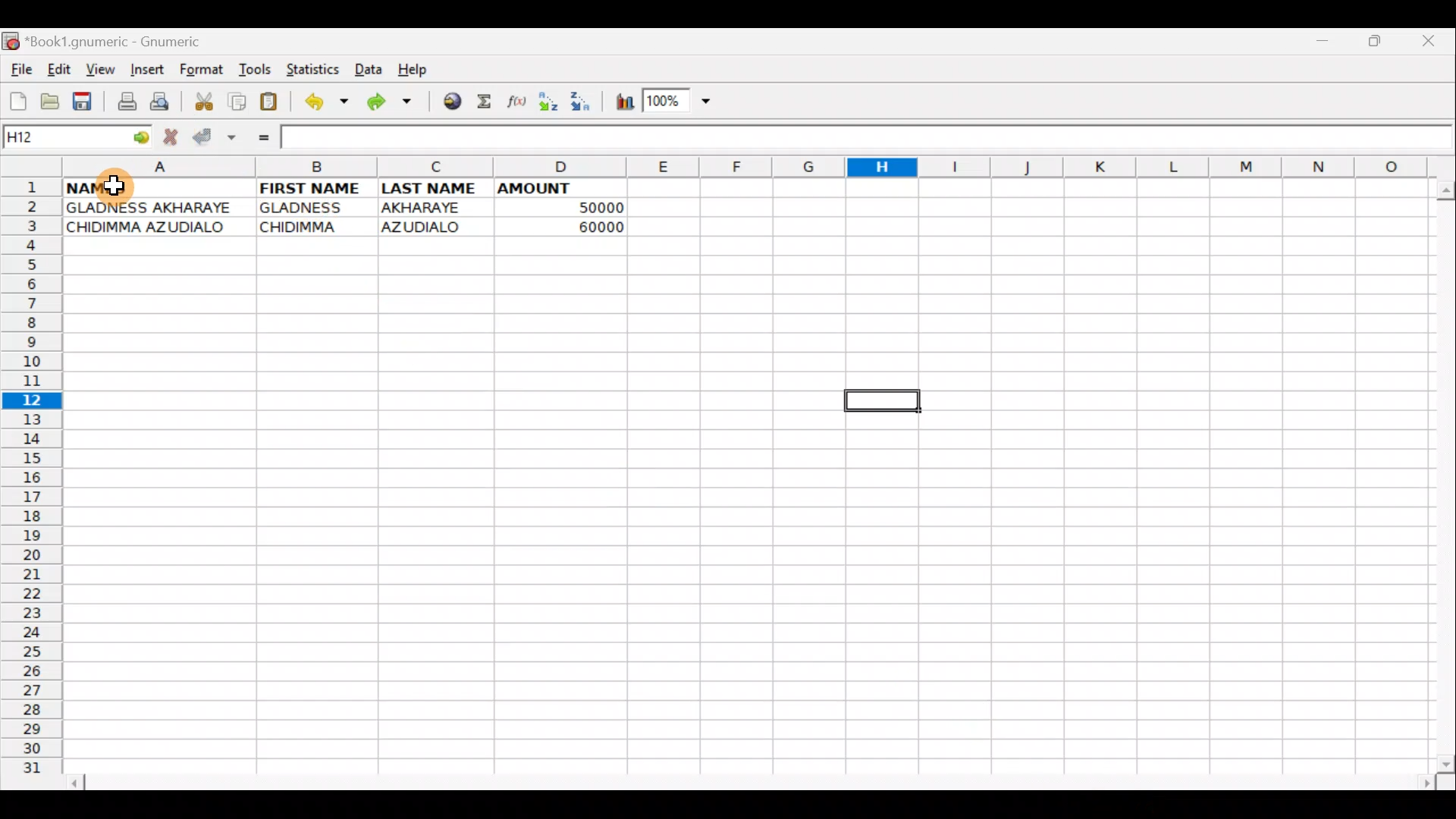 This screenshot has height=819, width=1456. Describe the element at coordinates (163, 100) in the screenshot. I see `Print preview` at that location.